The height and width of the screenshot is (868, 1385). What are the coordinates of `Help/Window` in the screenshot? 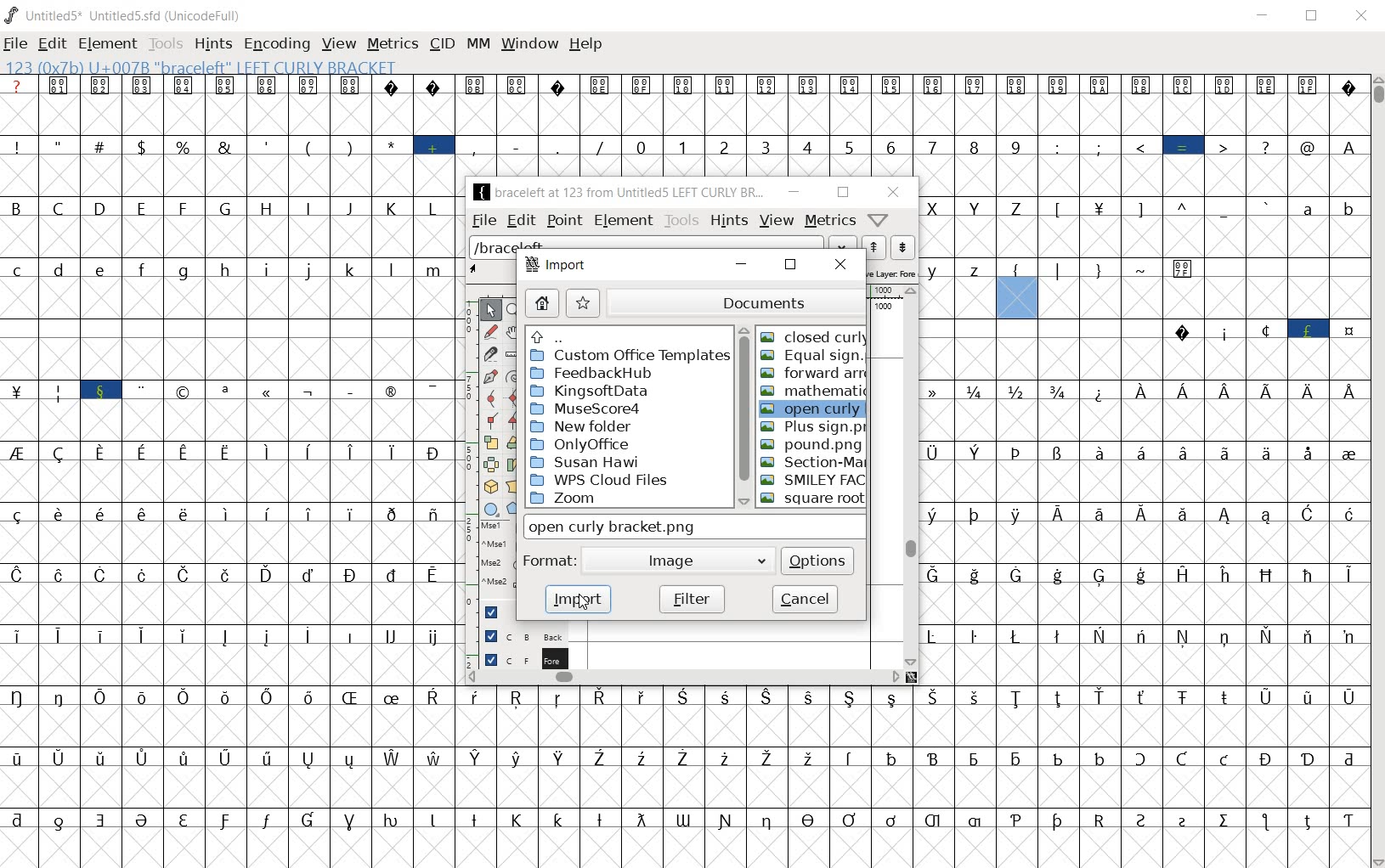 It's located at (879, 222).